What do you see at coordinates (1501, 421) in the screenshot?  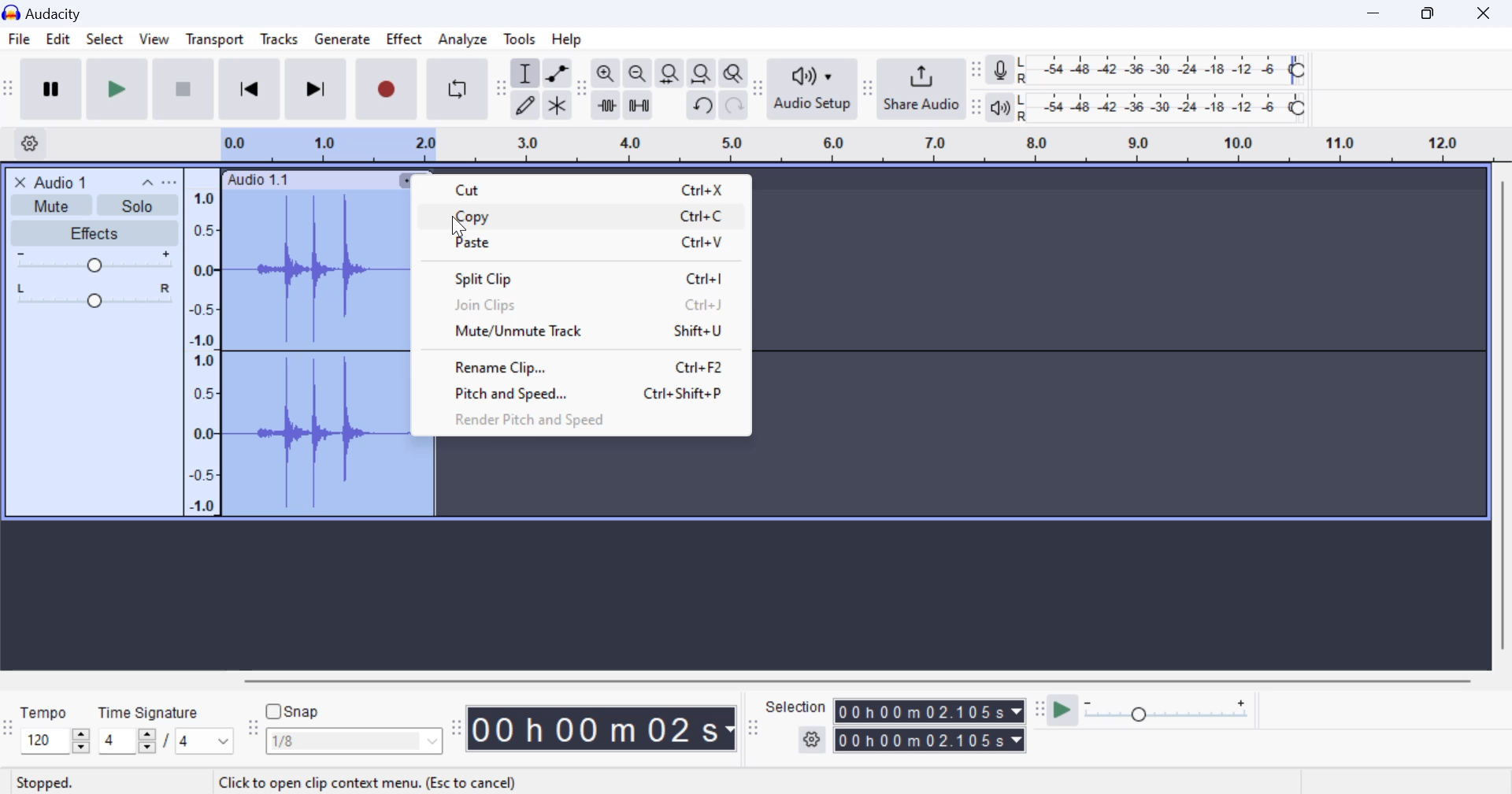 I see `vertical scrollbar` at bounding box center [1501, 421].